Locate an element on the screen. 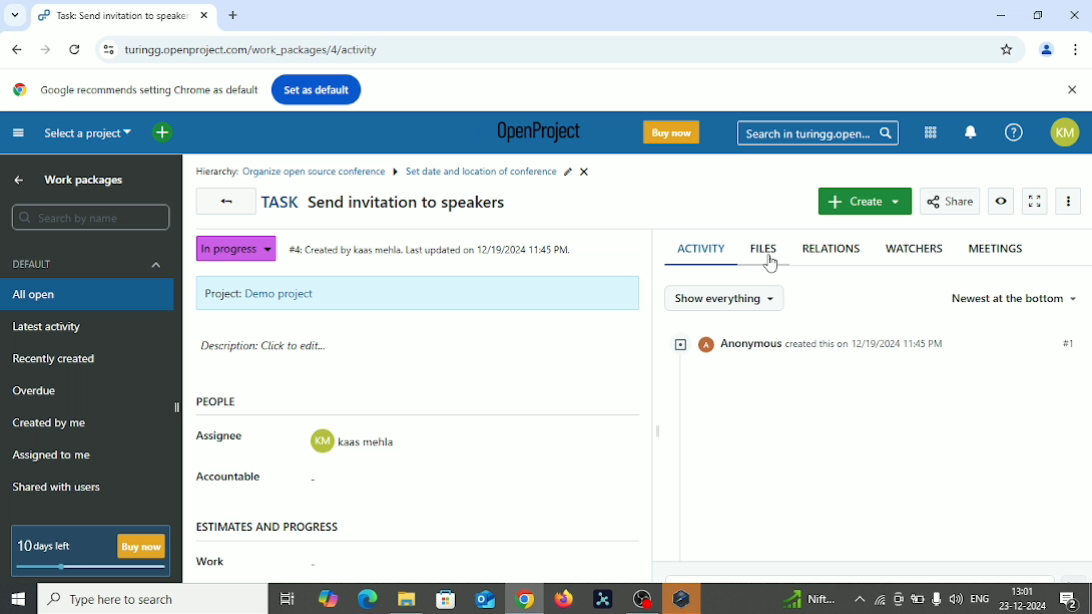 The height and width of the screenshot is (614, 1092). speaker is located at coordinates (956, 598).